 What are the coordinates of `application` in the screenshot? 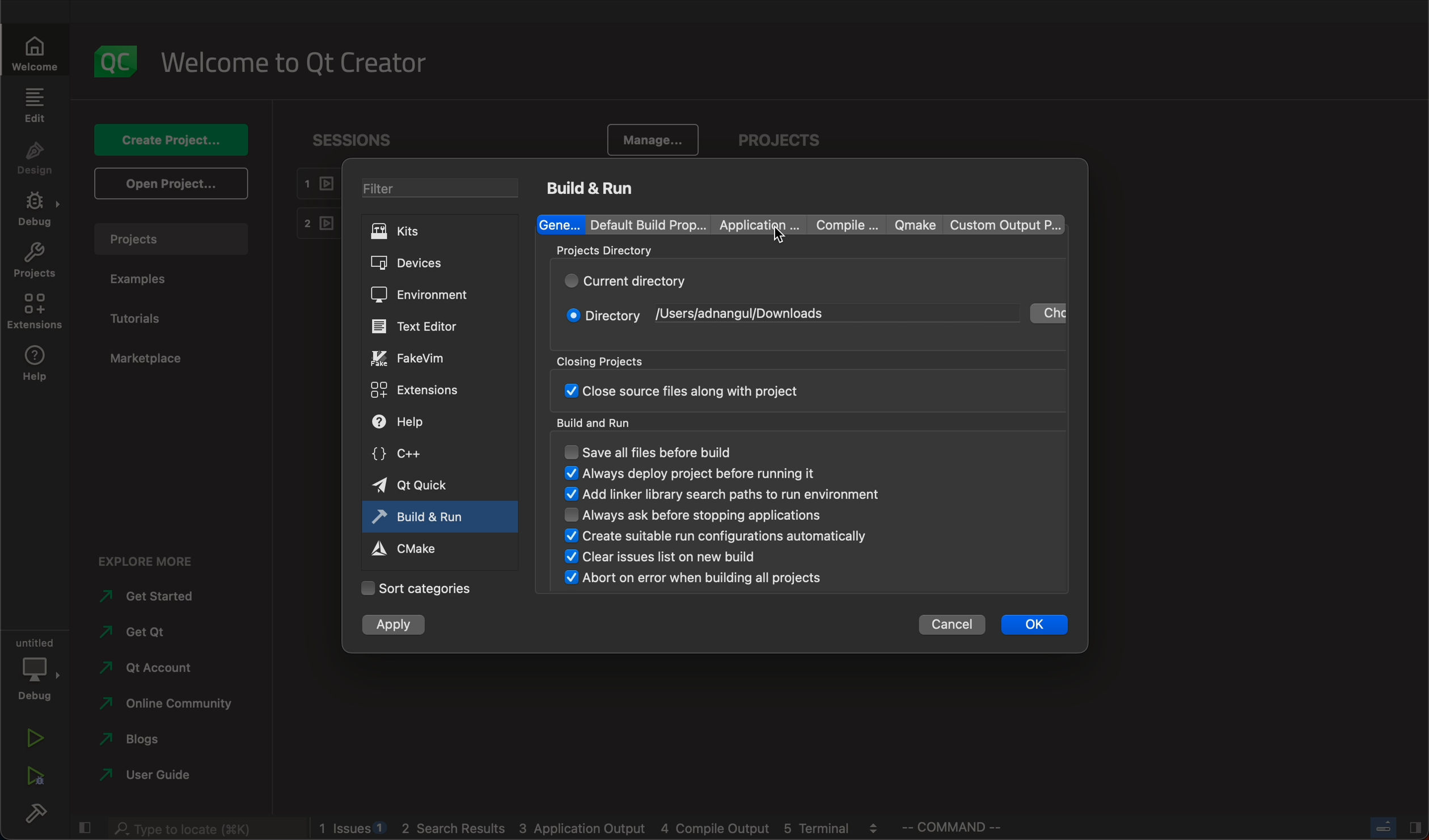 It's located at (760, 224).